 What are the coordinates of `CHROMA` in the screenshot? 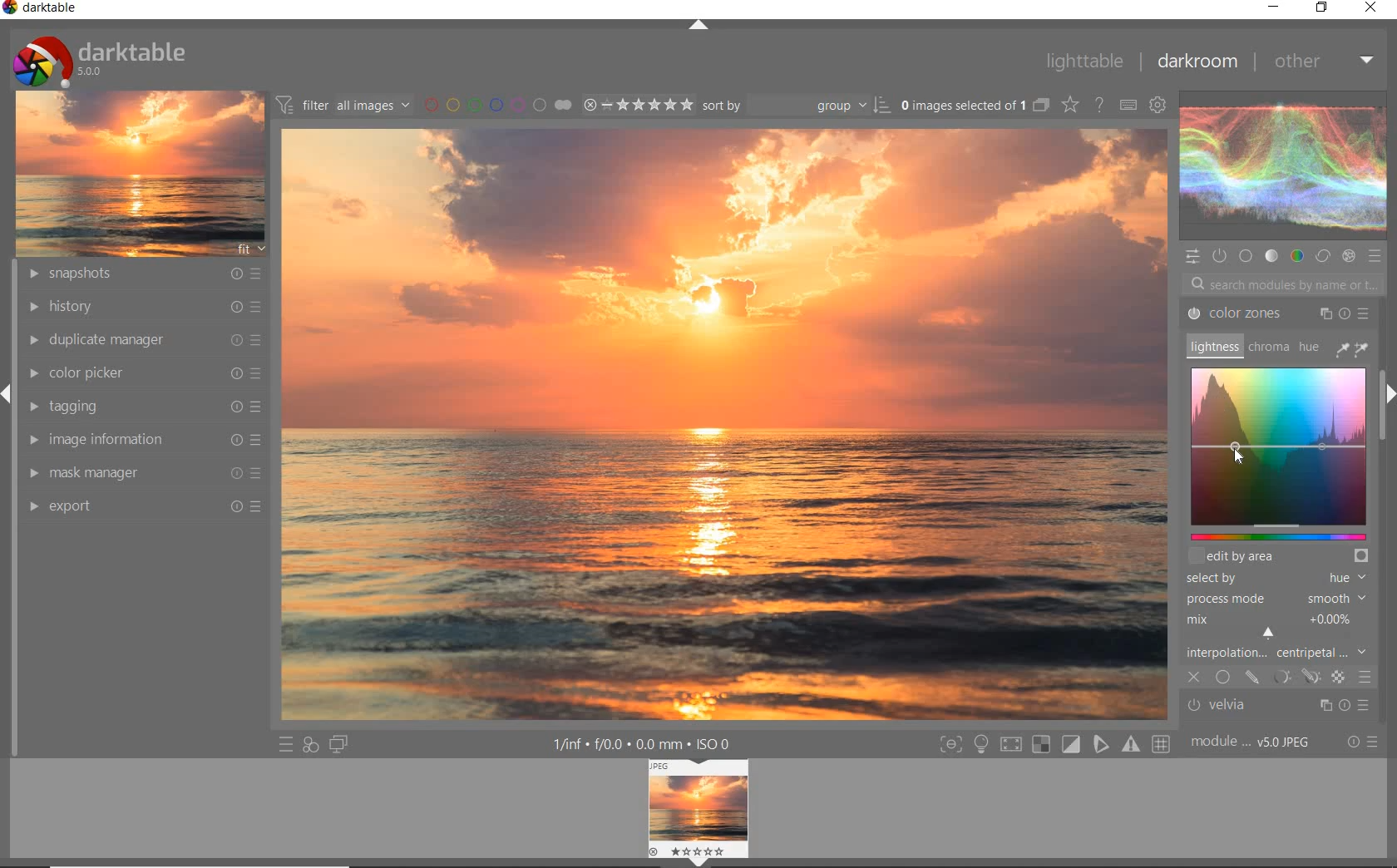 It's located at (1267, 348).